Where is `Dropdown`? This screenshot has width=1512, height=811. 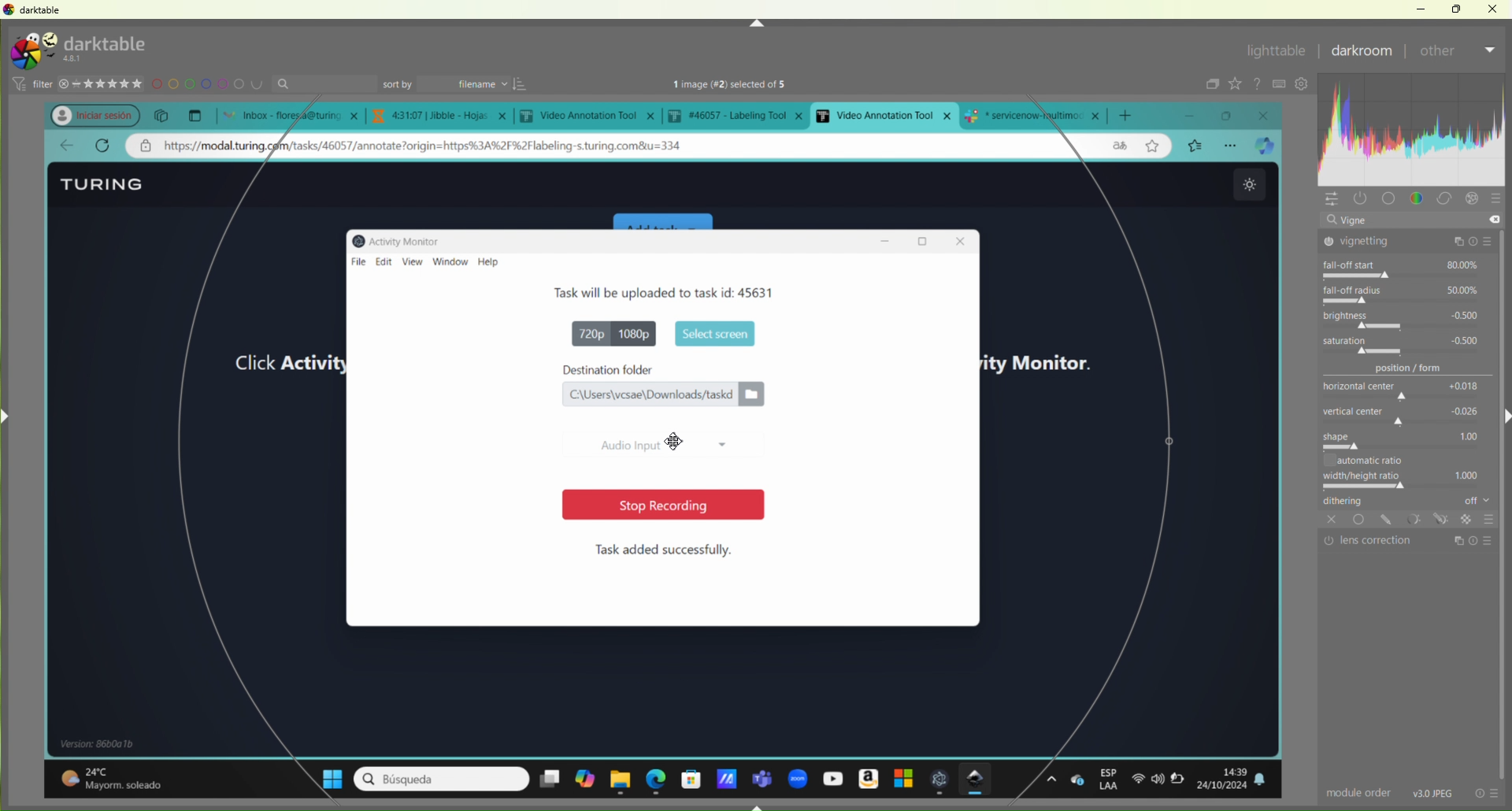 Dropdown is located at coordinates (1492, 50).